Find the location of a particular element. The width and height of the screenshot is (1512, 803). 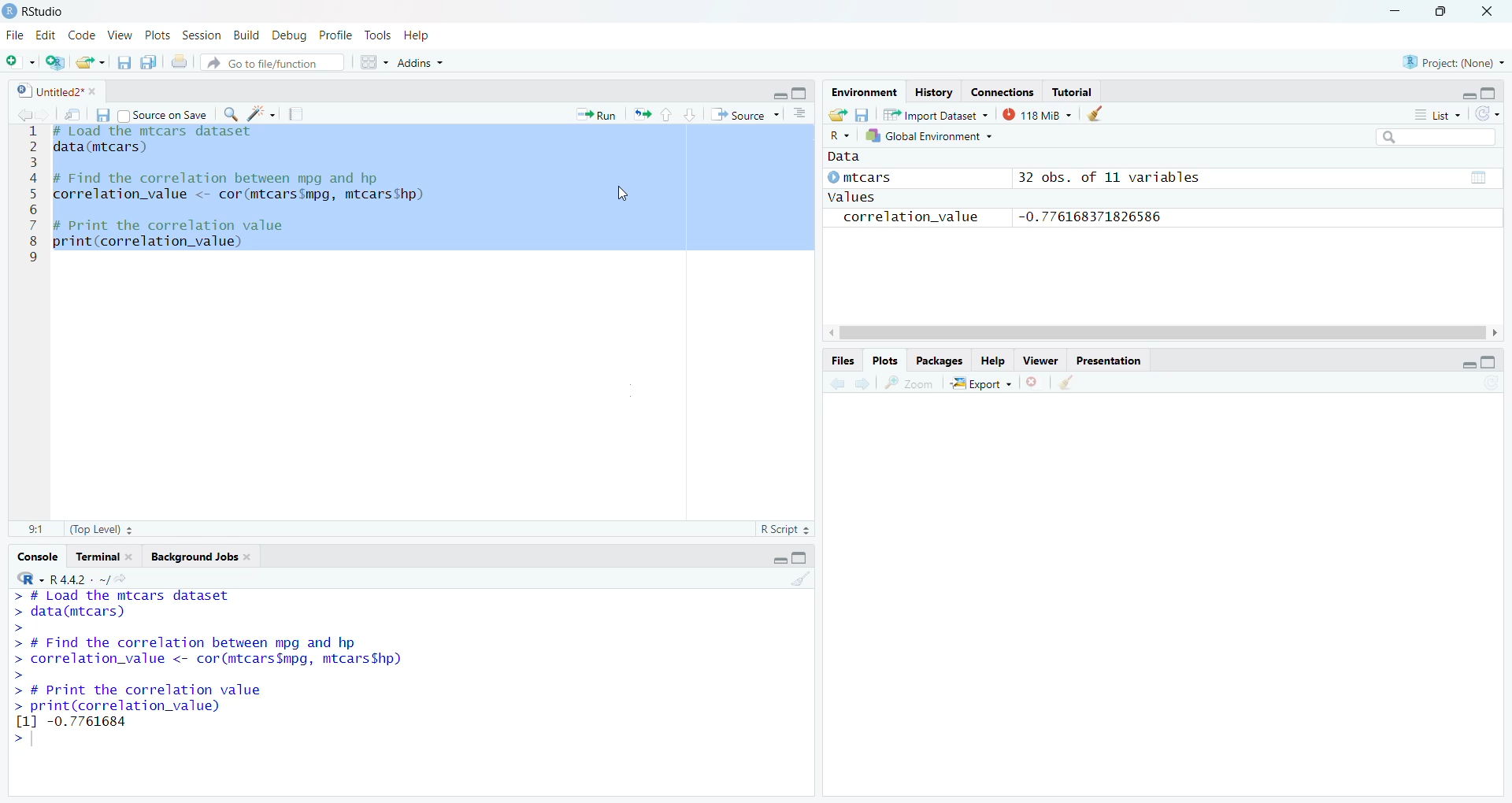

Help is located at coordinates (994, 358).